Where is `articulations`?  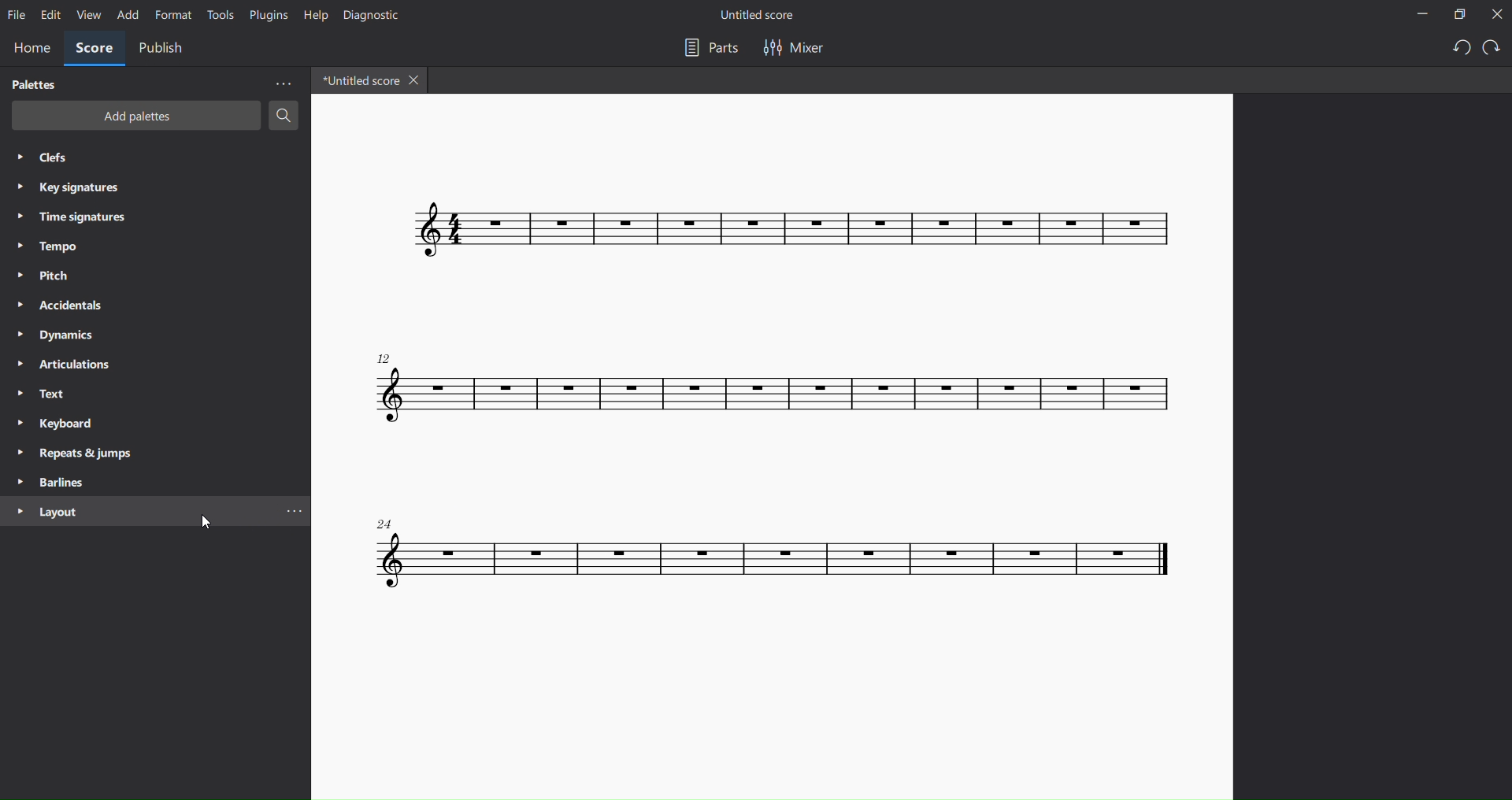
articulations is located at coordinates (64, 365).